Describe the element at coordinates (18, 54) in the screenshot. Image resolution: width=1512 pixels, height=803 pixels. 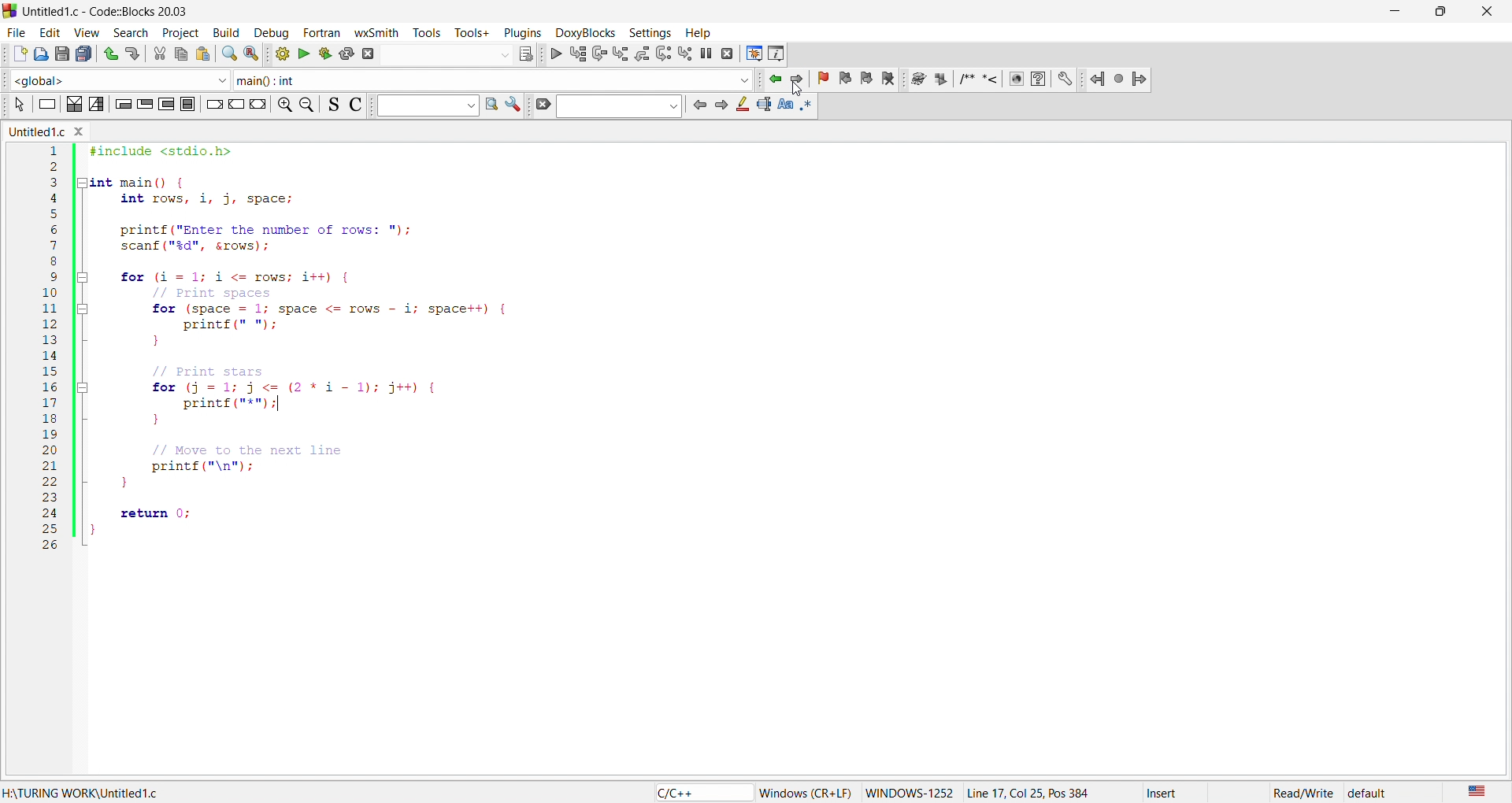
I see `new file` at that location.